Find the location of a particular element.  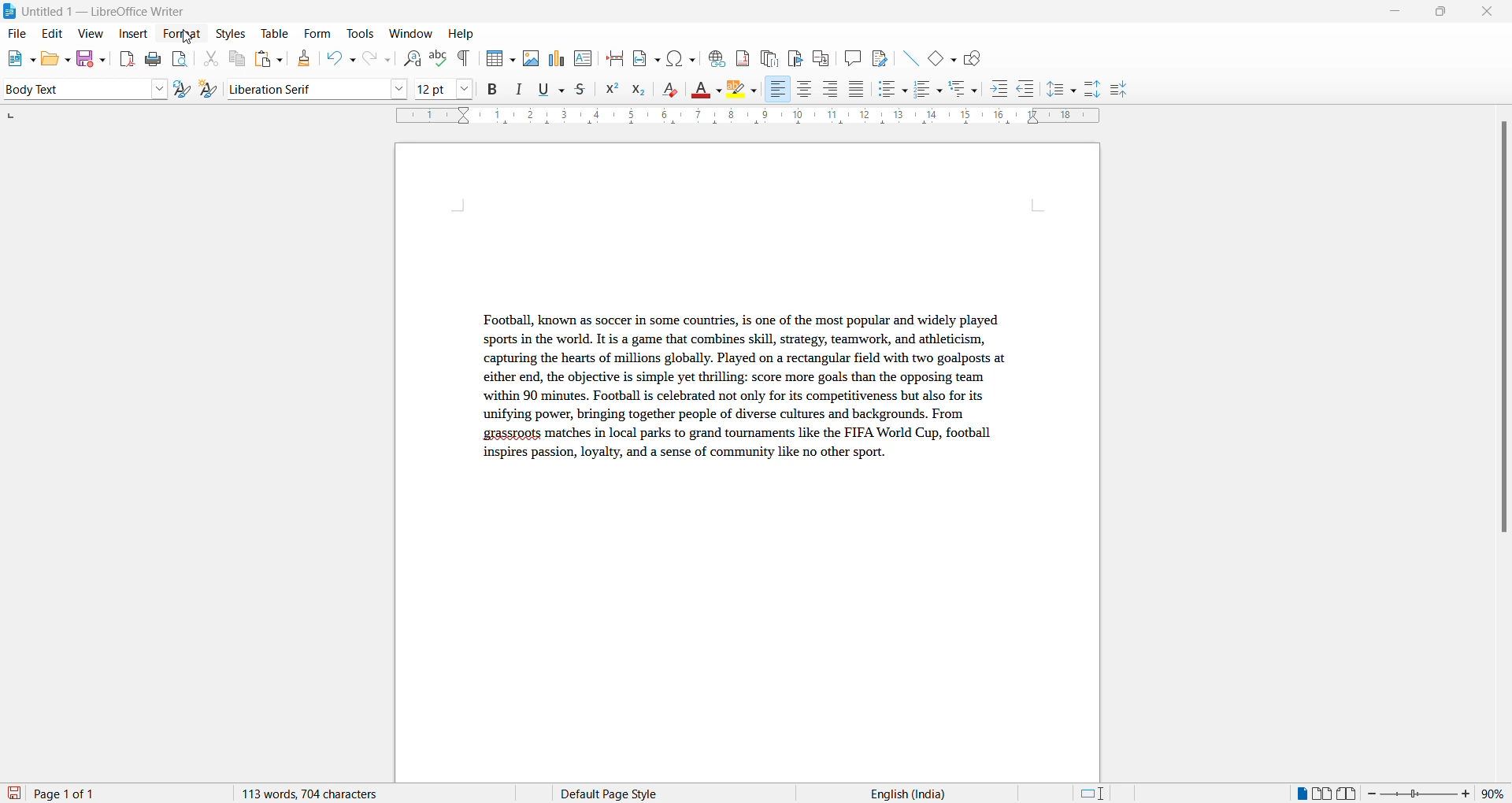

spellings is located at coordinates (438, 57).